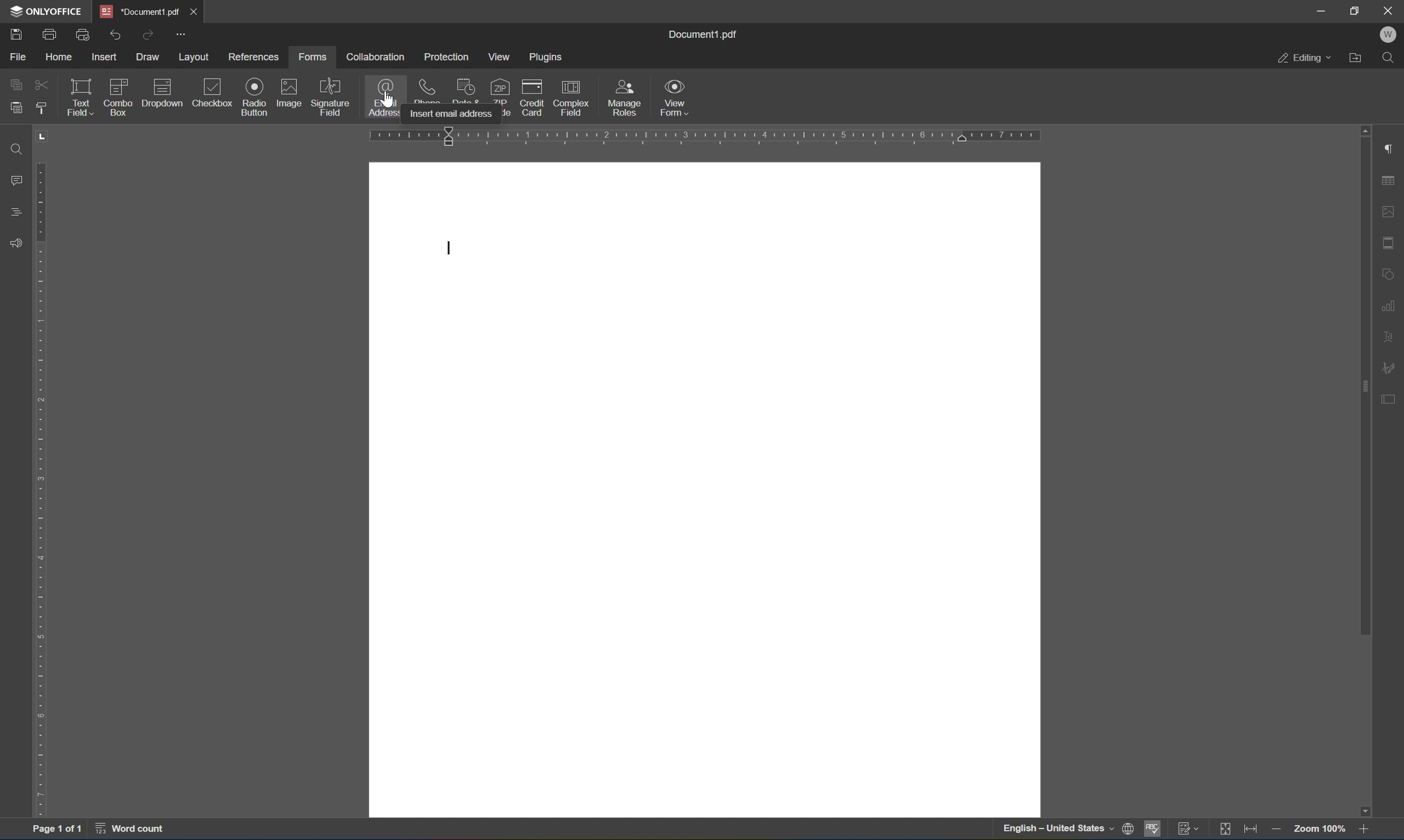  What do you see at coordinates (1362, 830) in the screenshot?
I see `zoom in` at bounding box center [1362, 830].